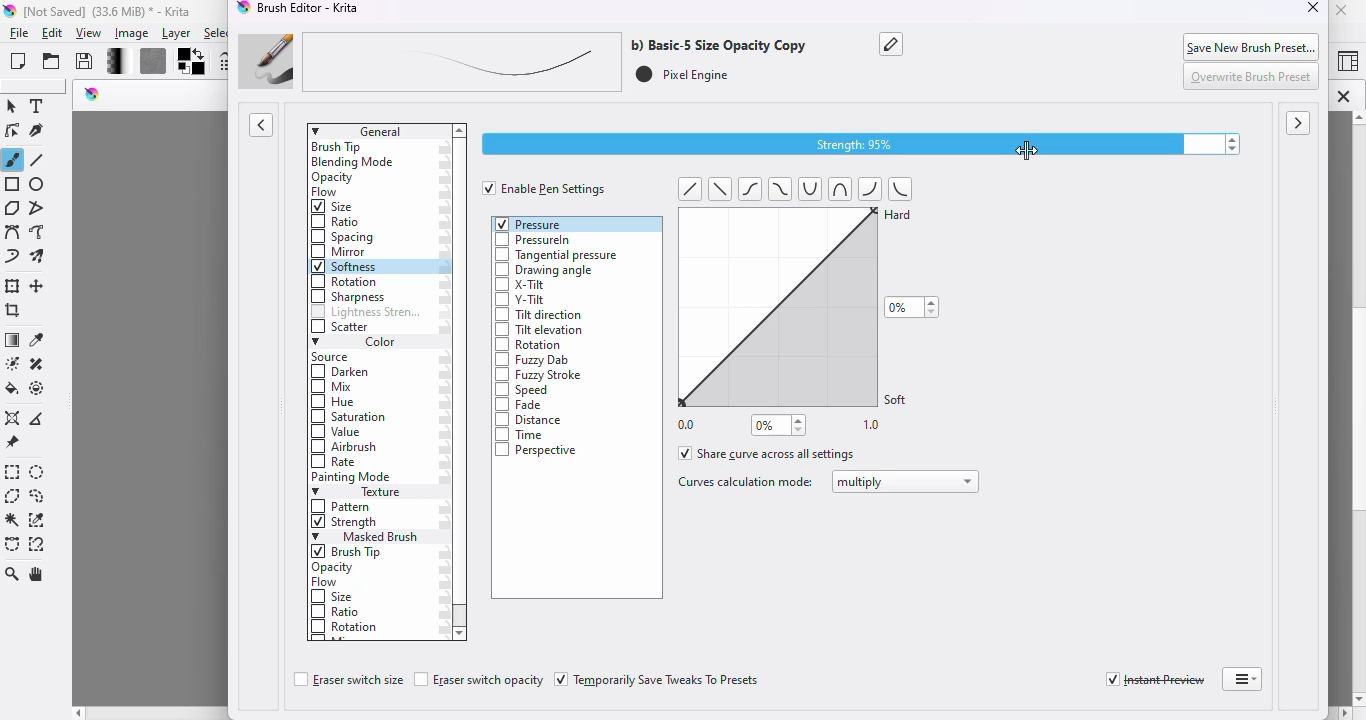  I want to click on move a layer, so click(39, 287).